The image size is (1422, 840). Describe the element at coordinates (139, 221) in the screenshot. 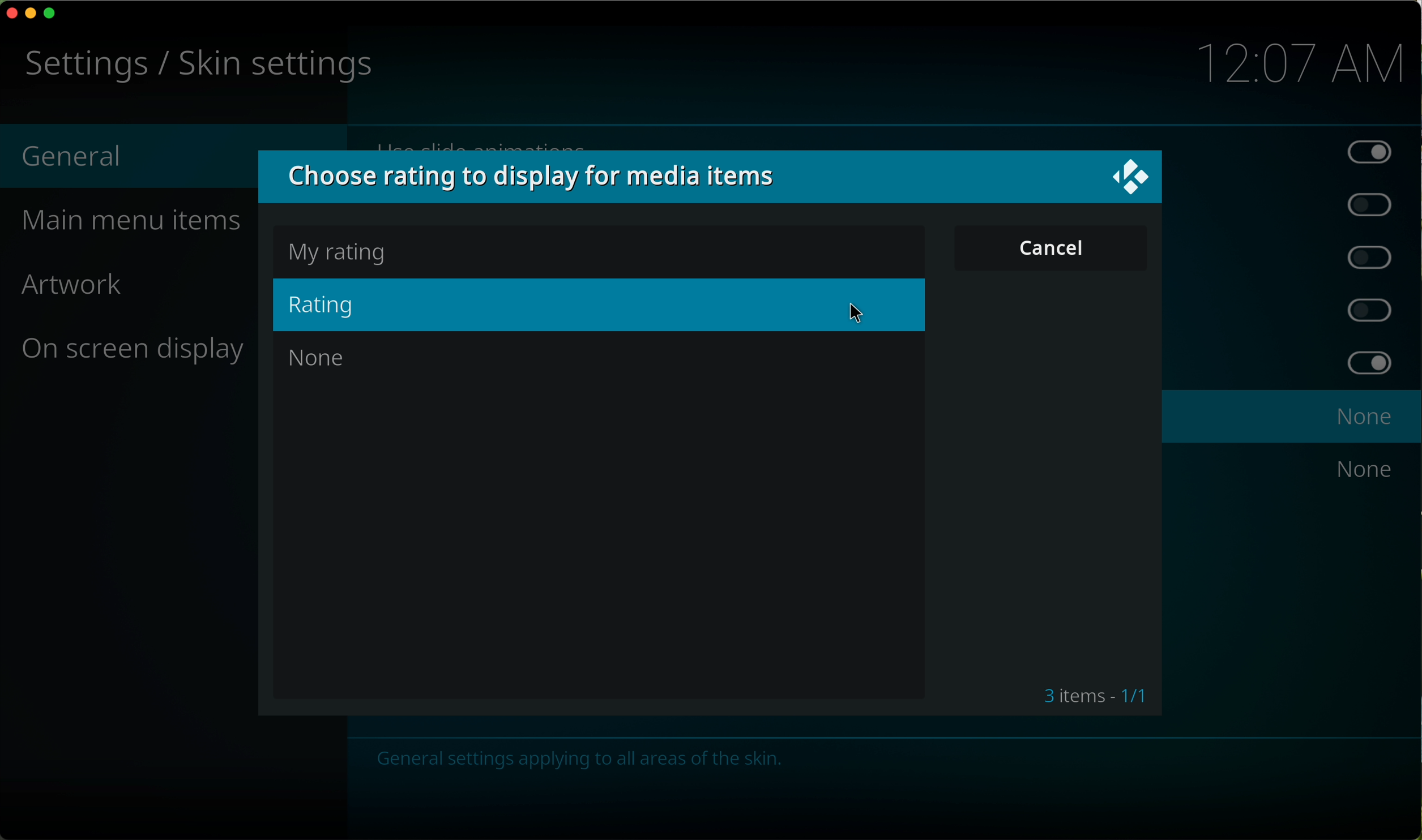

I see `main menu items` at that location.